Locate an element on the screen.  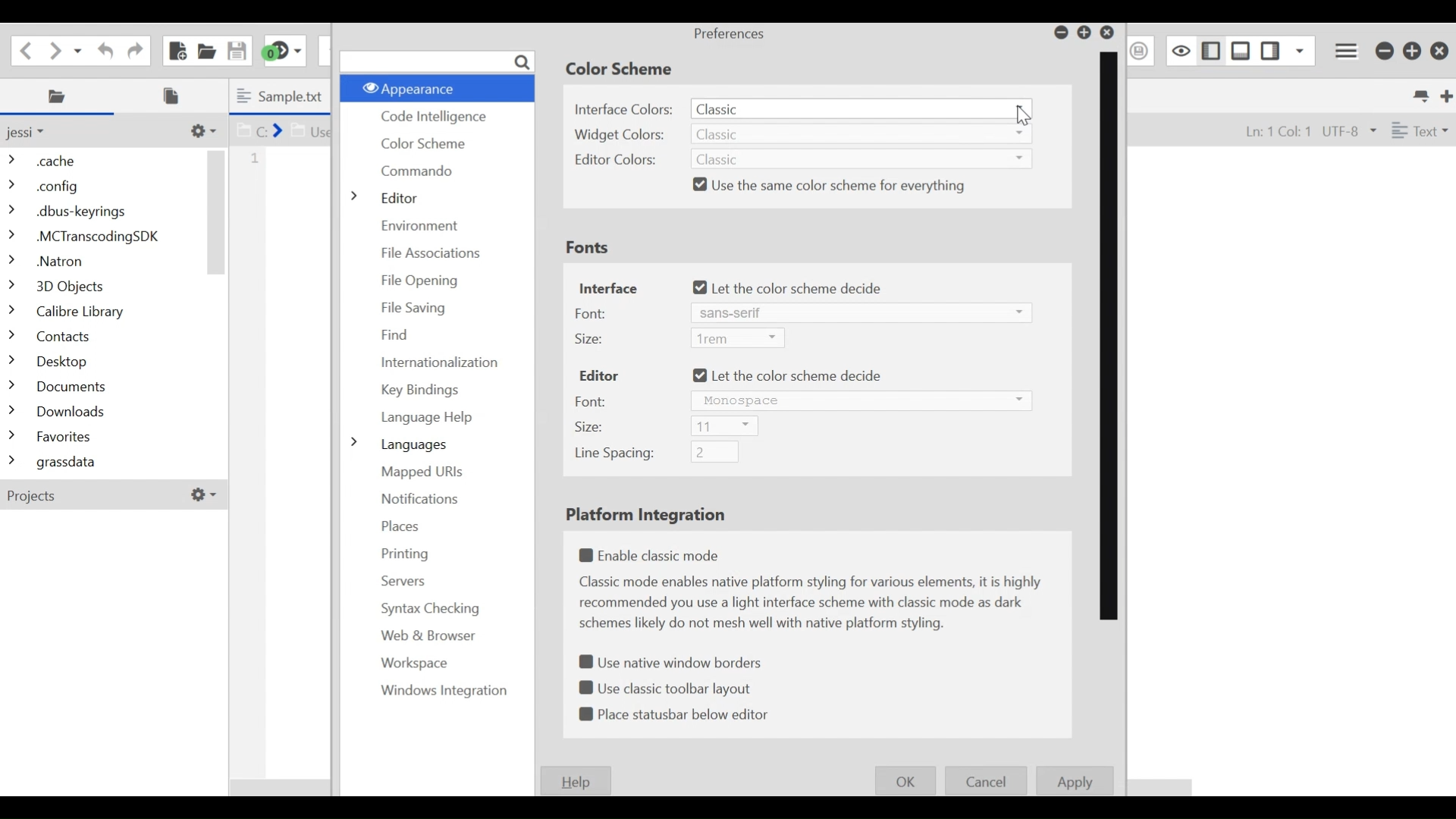
Go forward one location is located at coordinates (56, 49).